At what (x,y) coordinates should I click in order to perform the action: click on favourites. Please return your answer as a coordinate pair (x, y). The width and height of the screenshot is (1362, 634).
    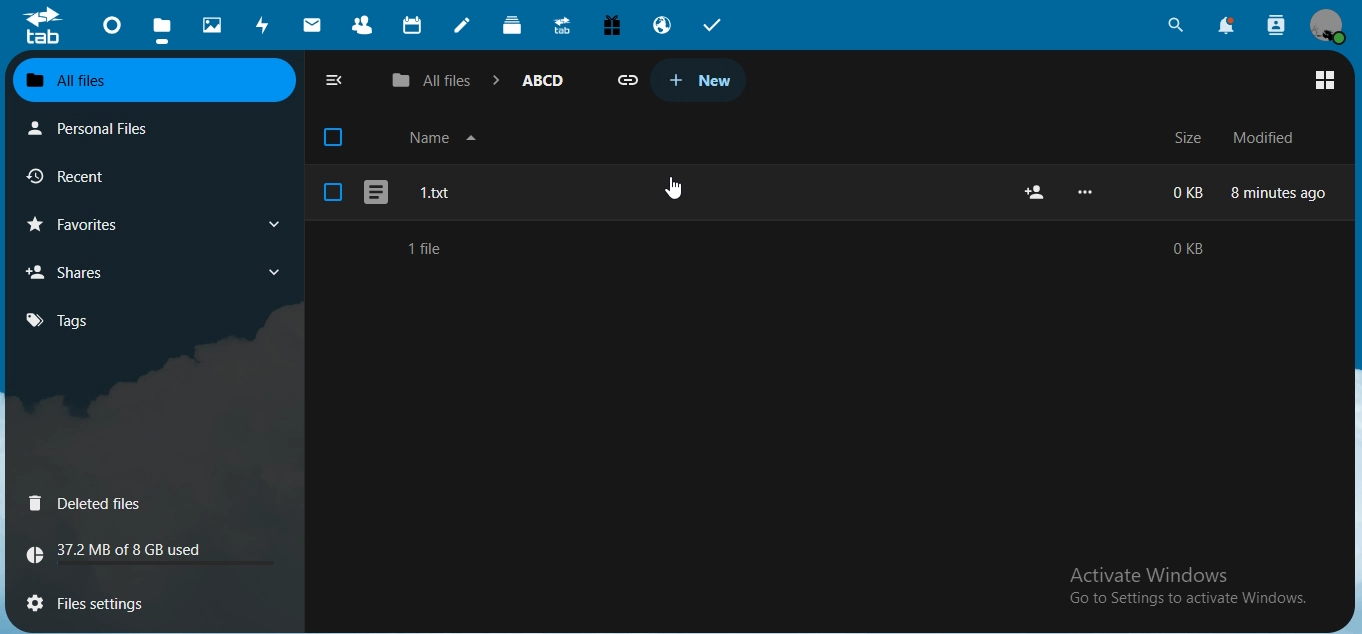
    Looking at the image, I should click on (83, 225).